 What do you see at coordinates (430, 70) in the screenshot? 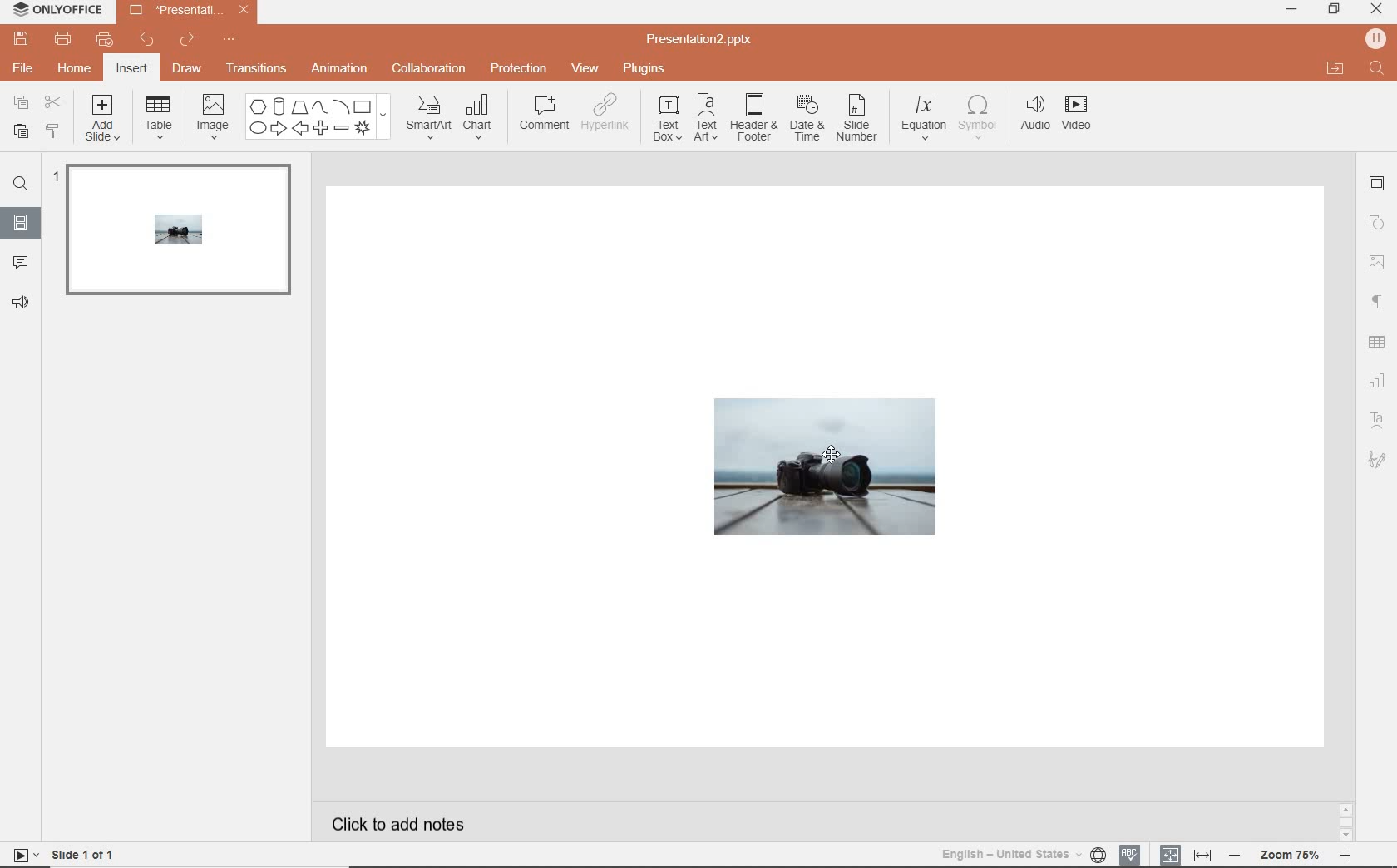
I see `collaboration` at bounding box center [430, 70].